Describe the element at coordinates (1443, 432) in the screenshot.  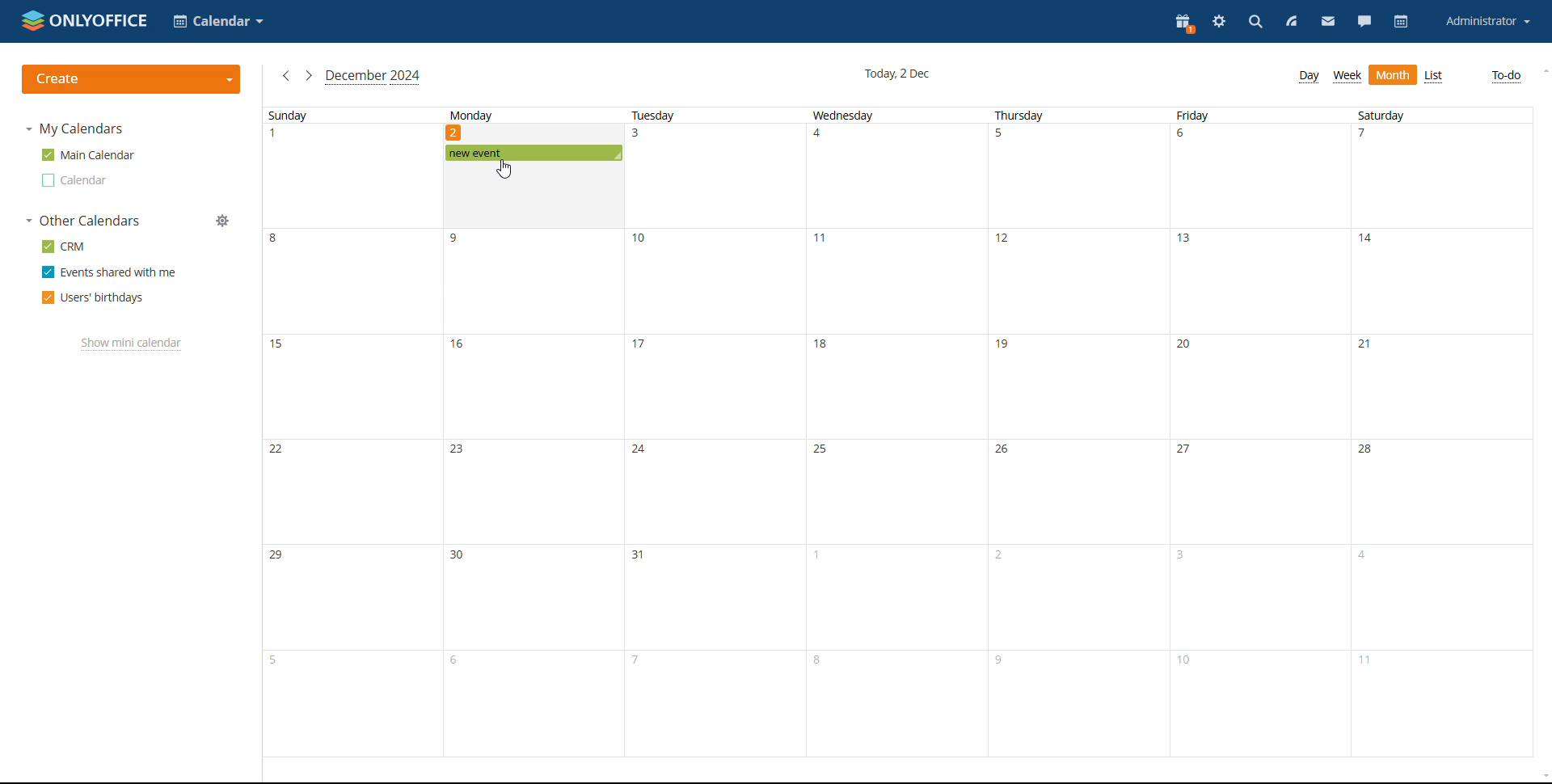
I see `saturday` at that location.